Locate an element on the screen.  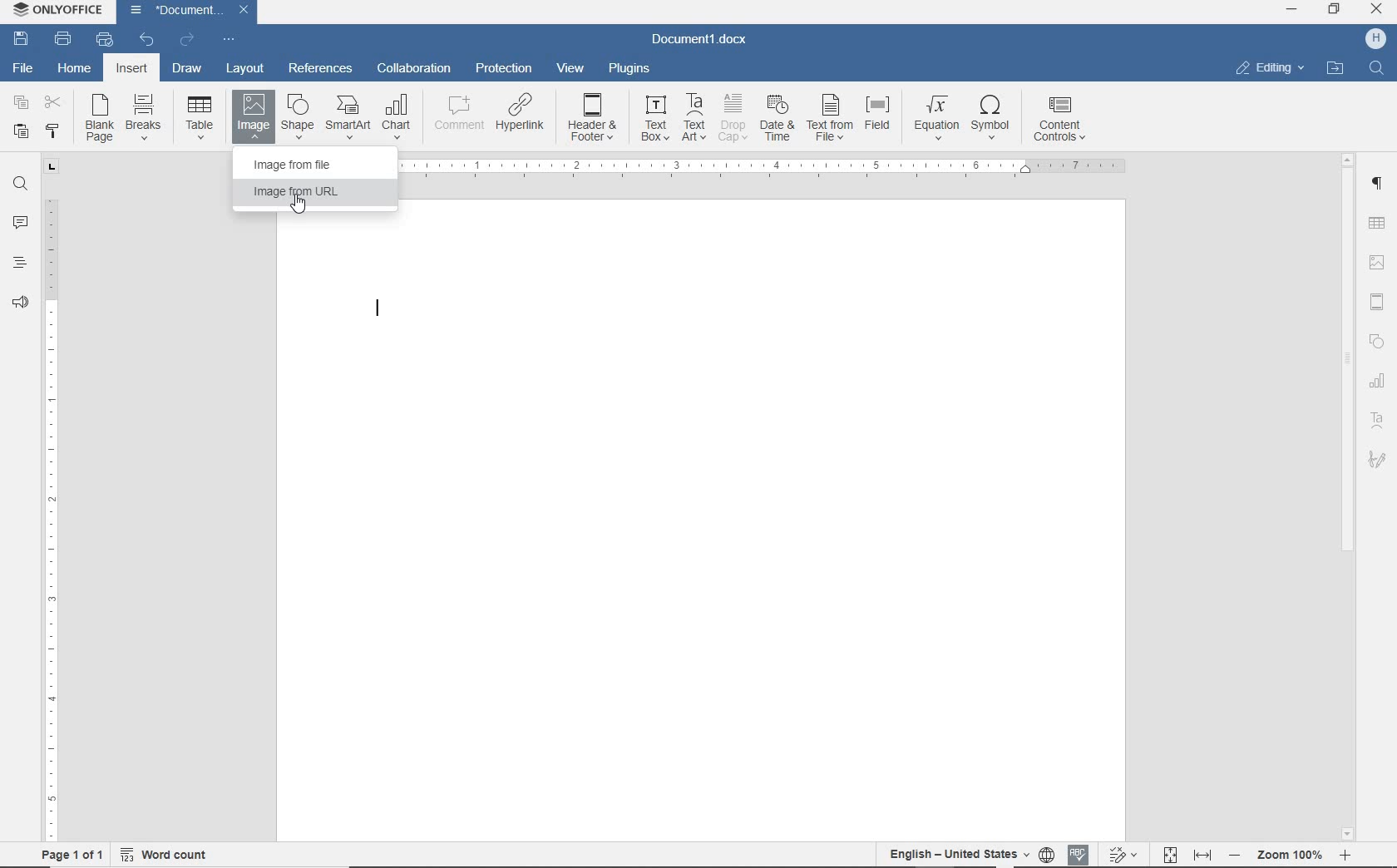
ruler is located at coordinates (748, 170).